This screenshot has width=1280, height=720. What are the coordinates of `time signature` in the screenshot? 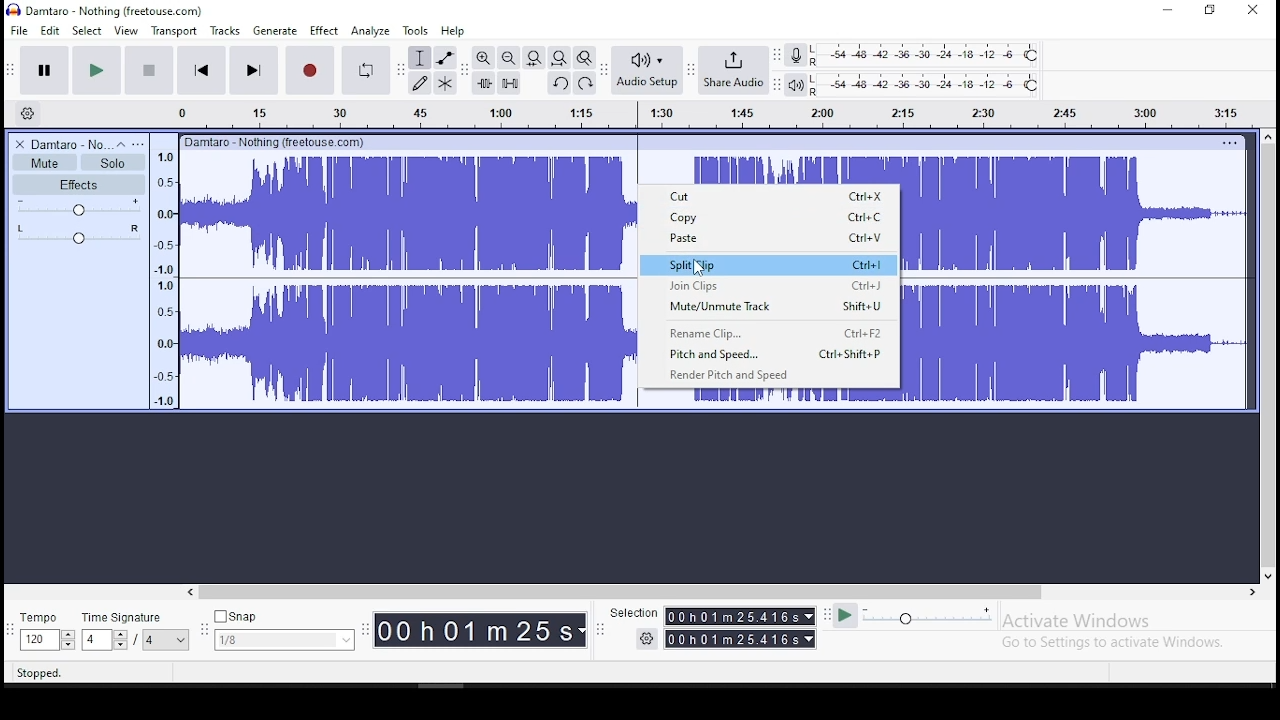 It's located at (122, 617).